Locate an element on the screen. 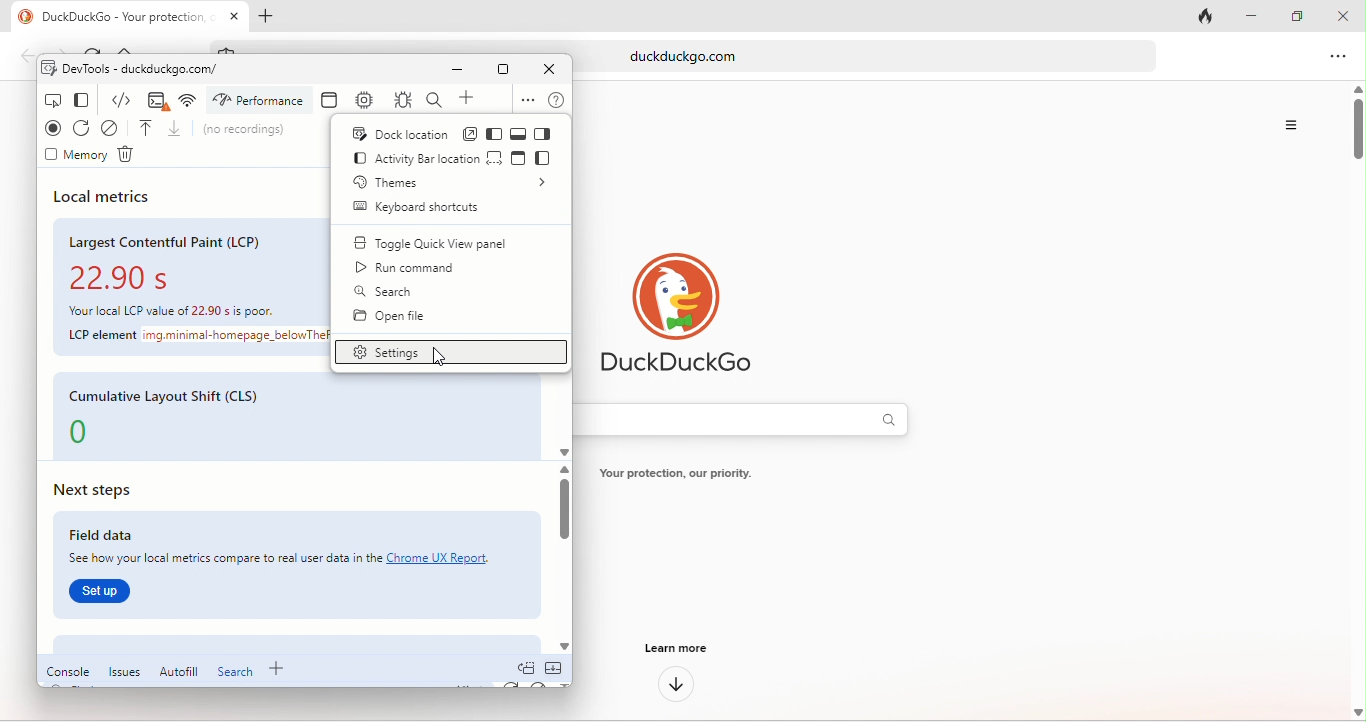  duckduck go logo is located at coordinates (22, 15).